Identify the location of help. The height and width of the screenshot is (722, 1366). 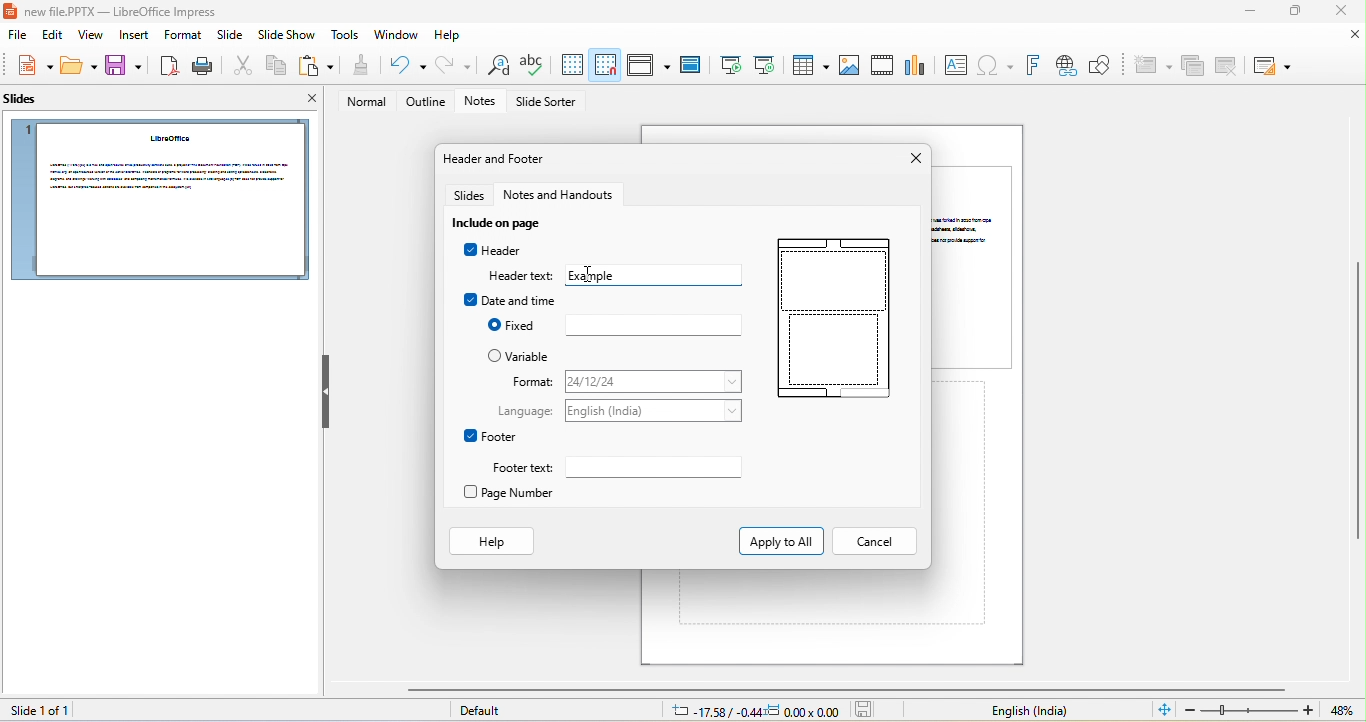
(449, 36).